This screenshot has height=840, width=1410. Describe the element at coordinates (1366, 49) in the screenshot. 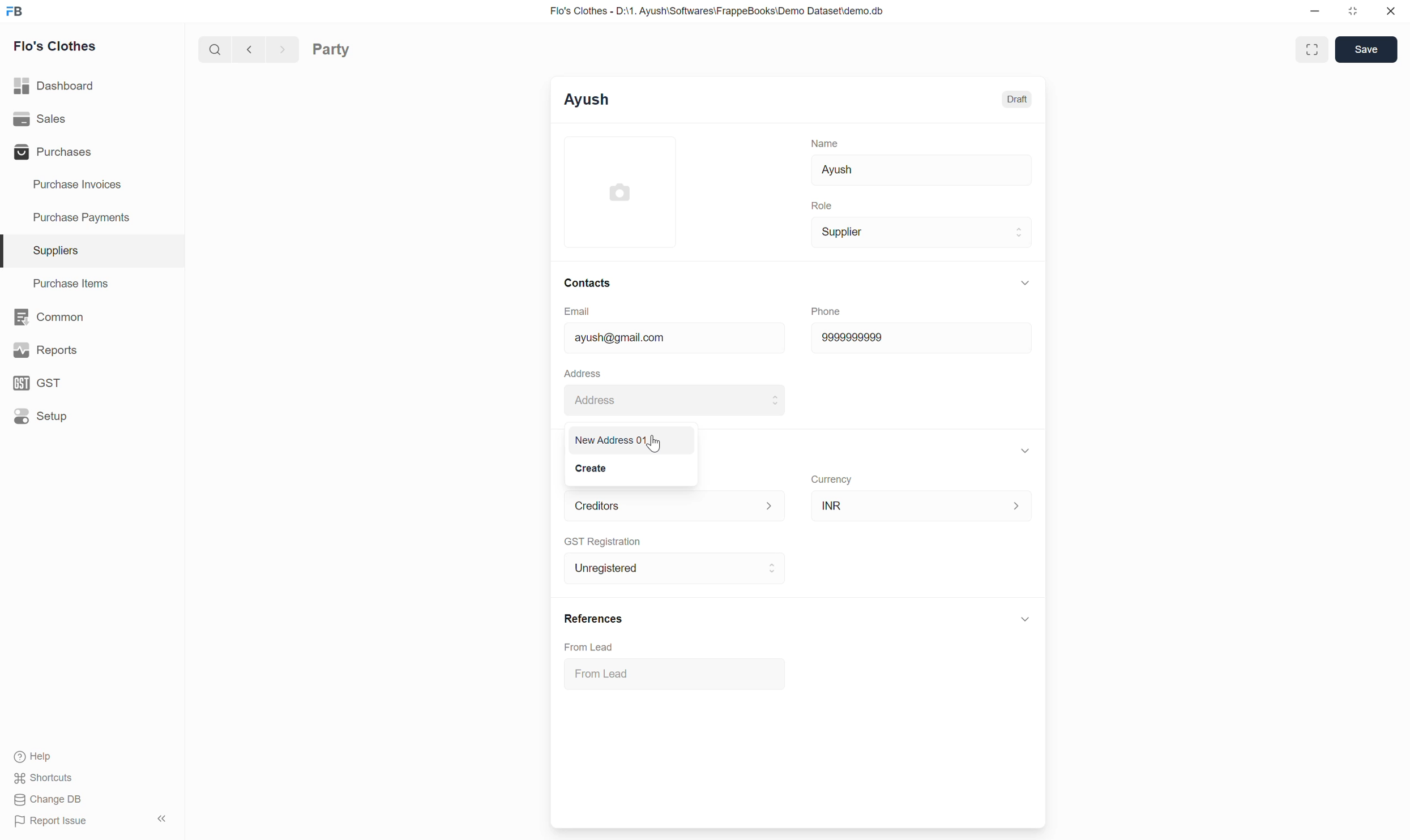

I see `Save` at that location.